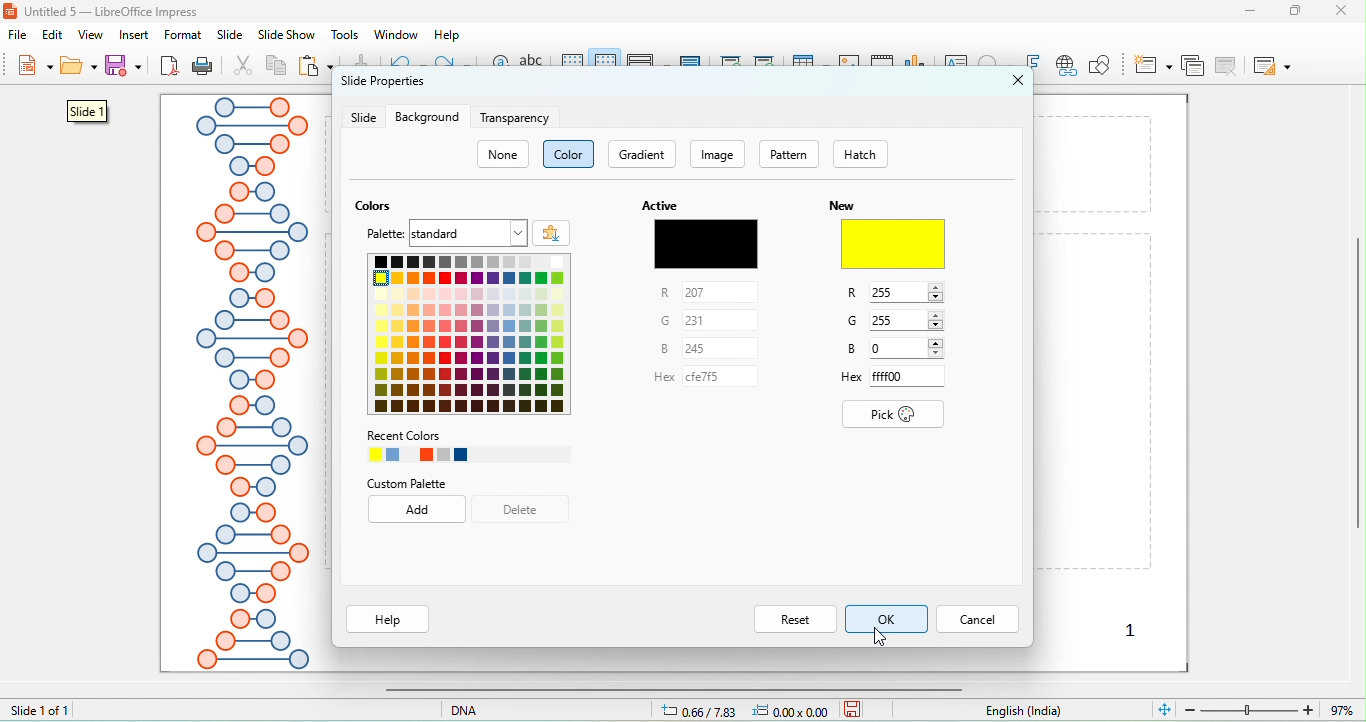 This screenshot has width=1366, height=722. I want to click on R, so click(895, 294).